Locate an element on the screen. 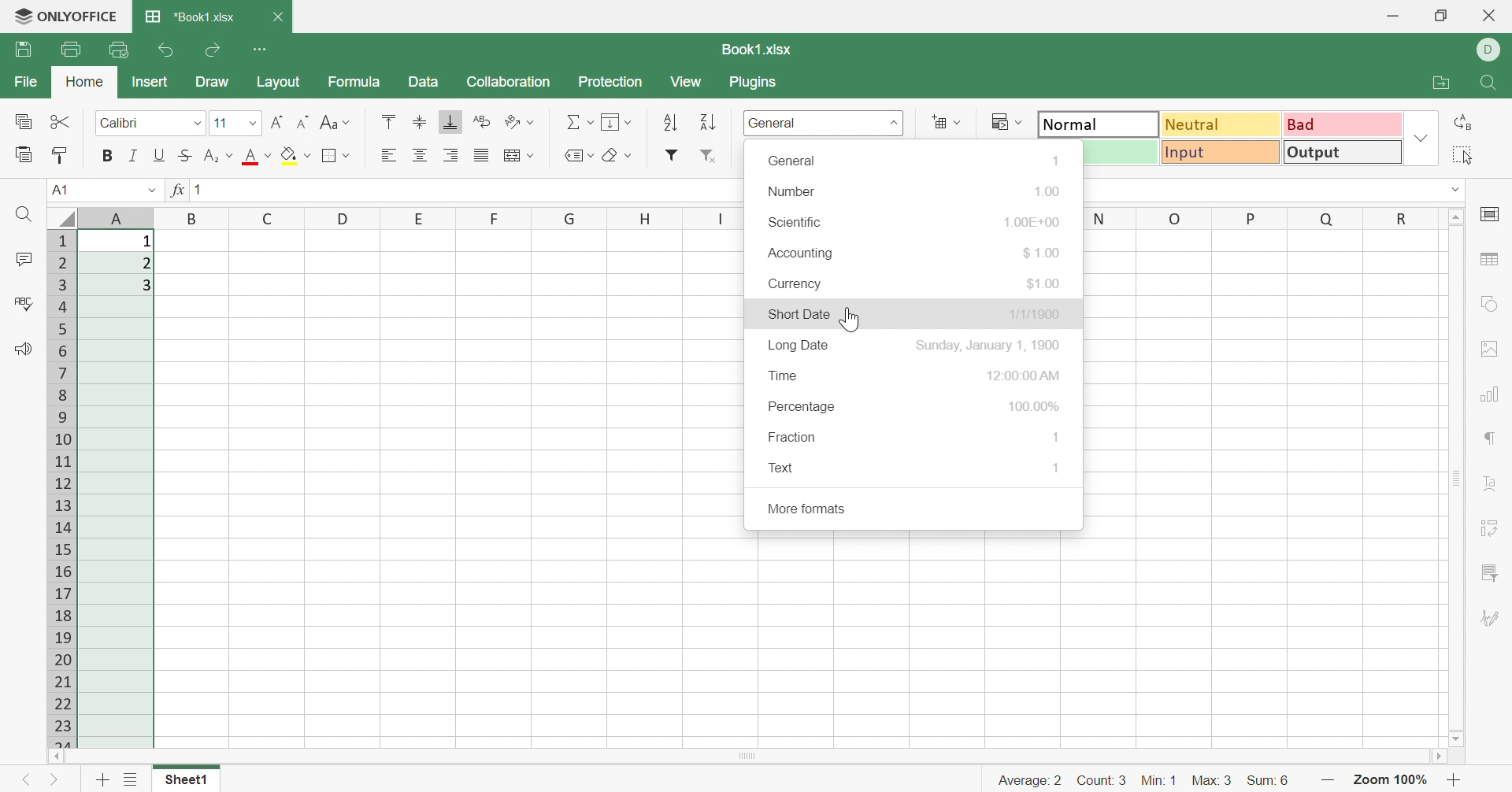 The height and width of the screenshot is (792, 1512). A1 is located at coordinates (61, 191).